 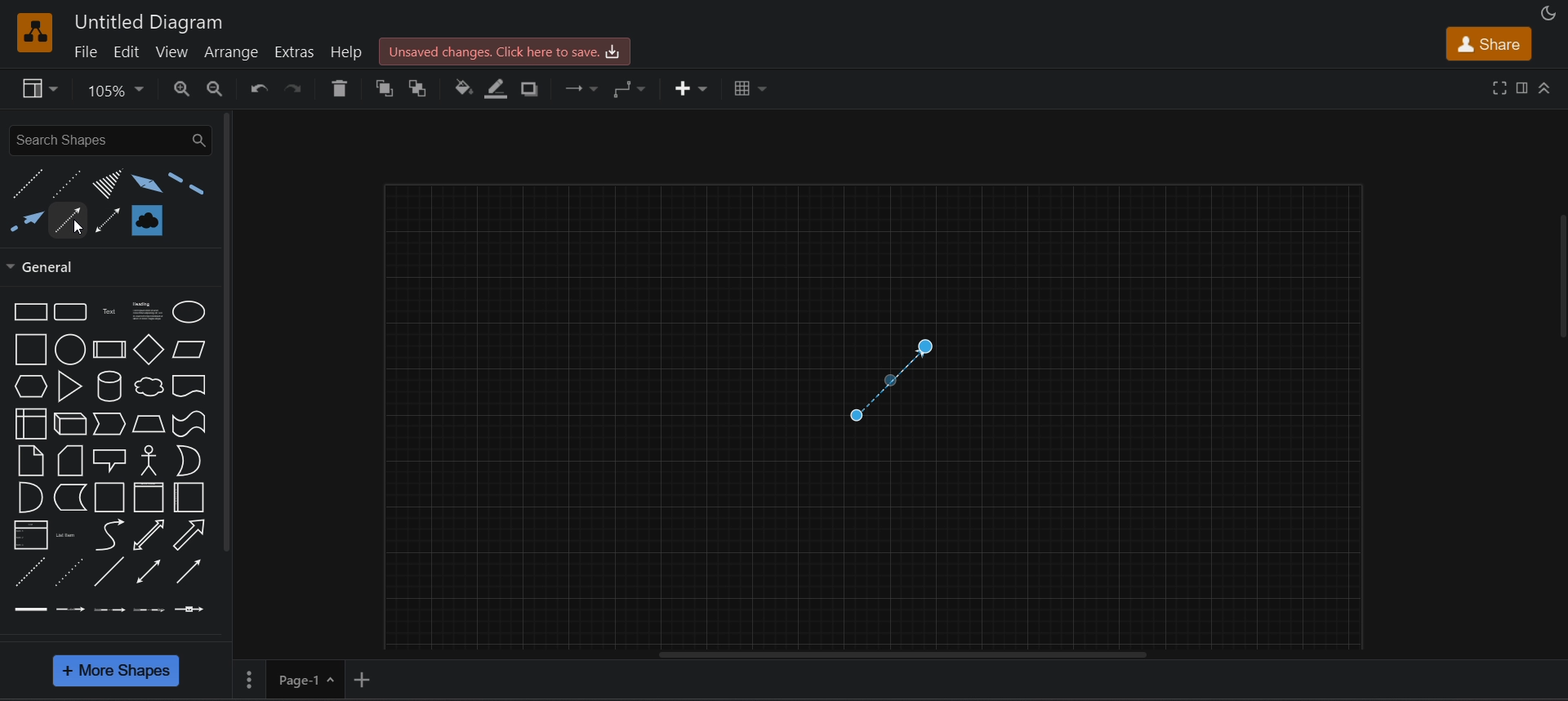 I want to click on arrow, so click(x=193, y=534).